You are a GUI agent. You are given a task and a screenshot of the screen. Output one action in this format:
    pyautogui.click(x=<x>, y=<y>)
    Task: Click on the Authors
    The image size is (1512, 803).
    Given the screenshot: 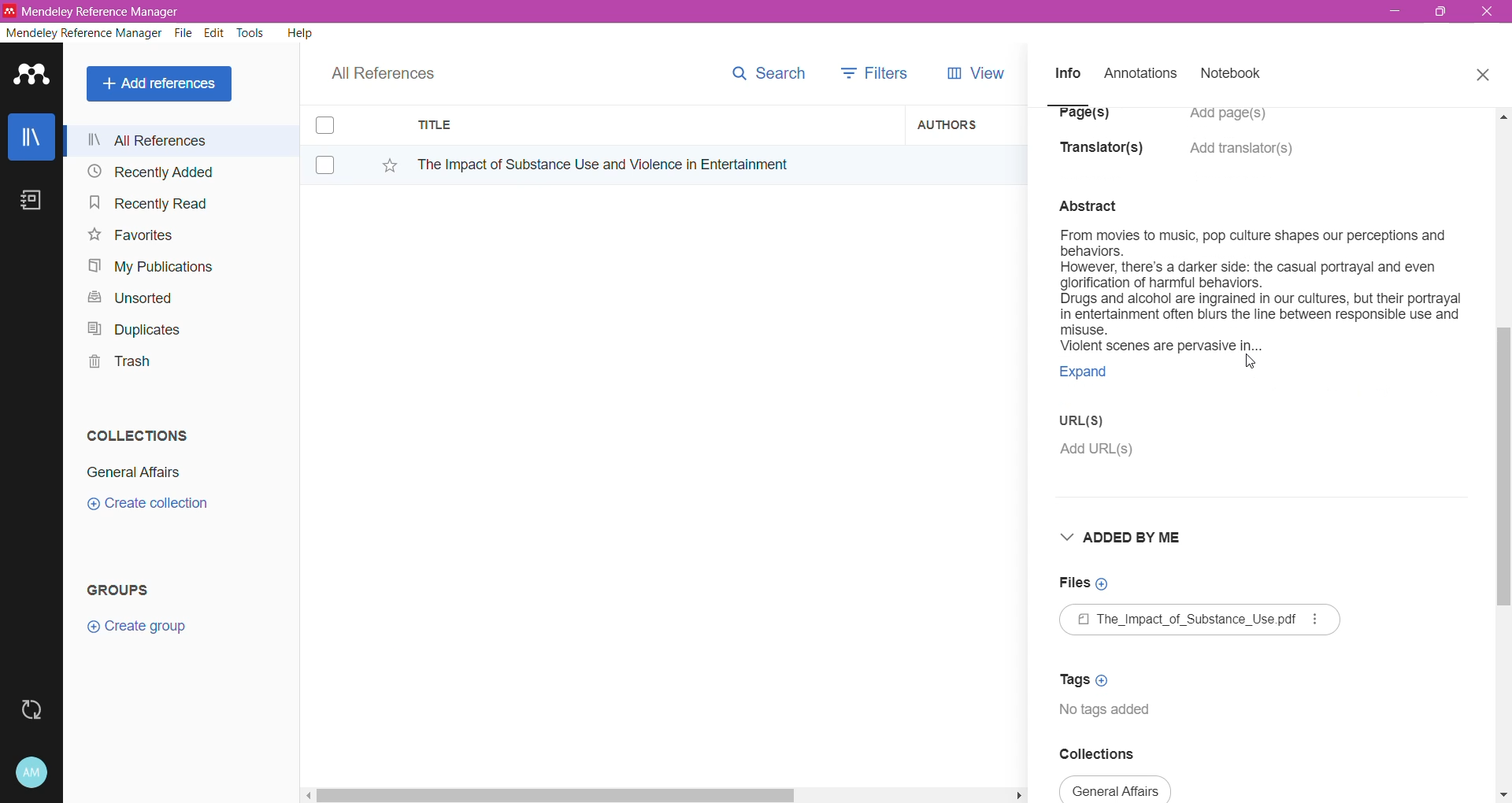 What is the action you would take?
    pyautogui.click(x=966, y=124)
    